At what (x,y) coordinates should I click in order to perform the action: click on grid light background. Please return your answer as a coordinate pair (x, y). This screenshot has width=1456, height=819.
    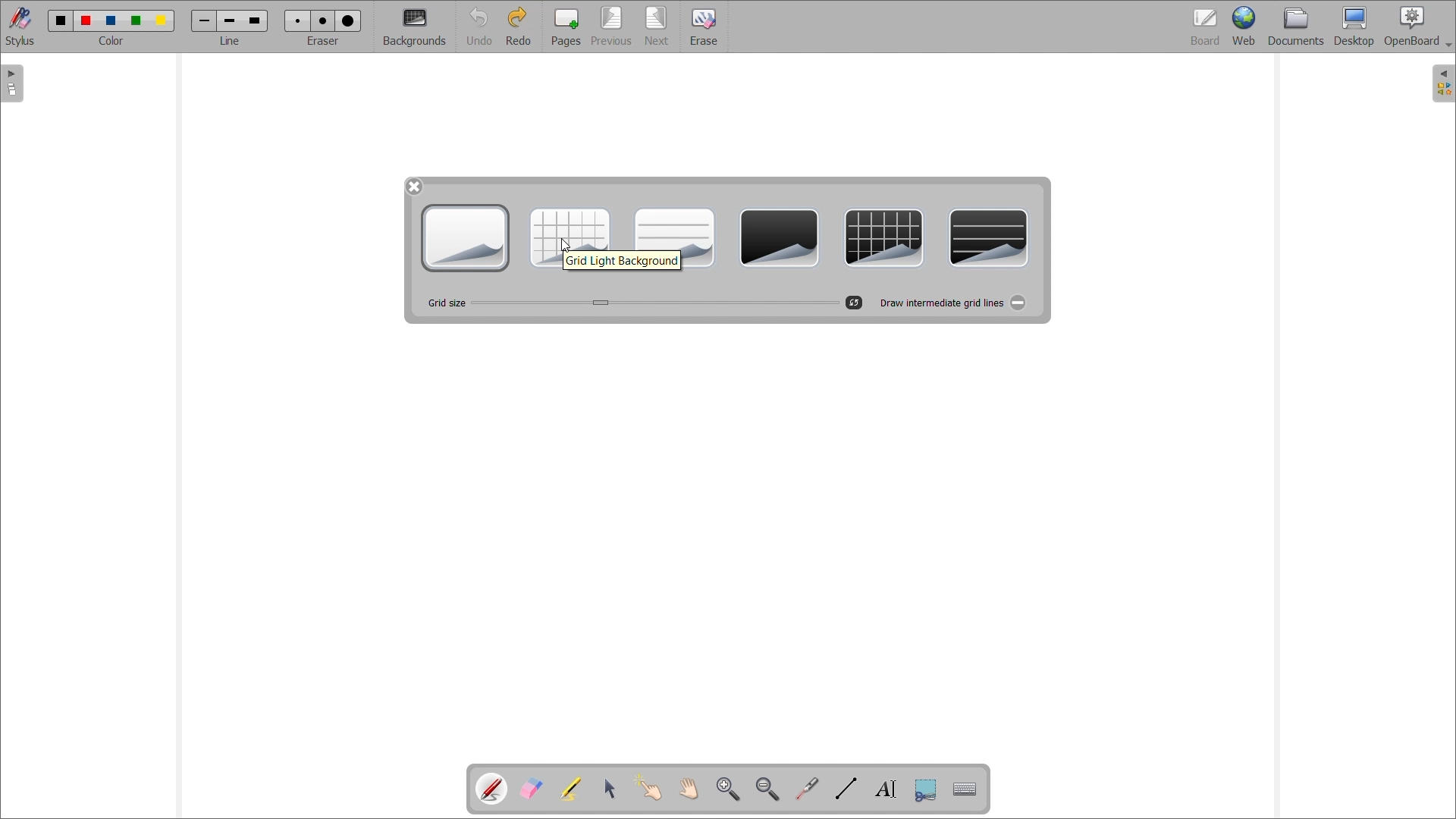
    Looking at the image, I should click on (623, 261).